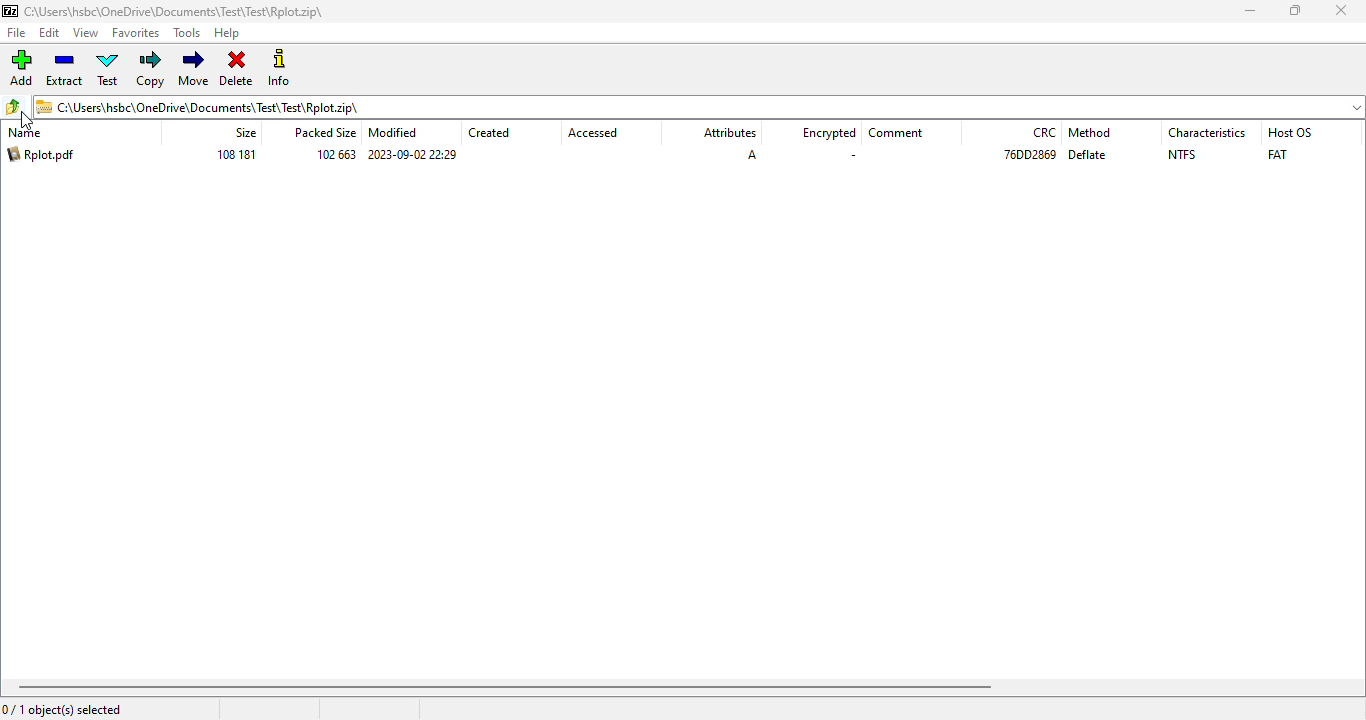 Image resolution: width=1366 pixels, height=720 pixels. I want to click on test, so click(108, 69).